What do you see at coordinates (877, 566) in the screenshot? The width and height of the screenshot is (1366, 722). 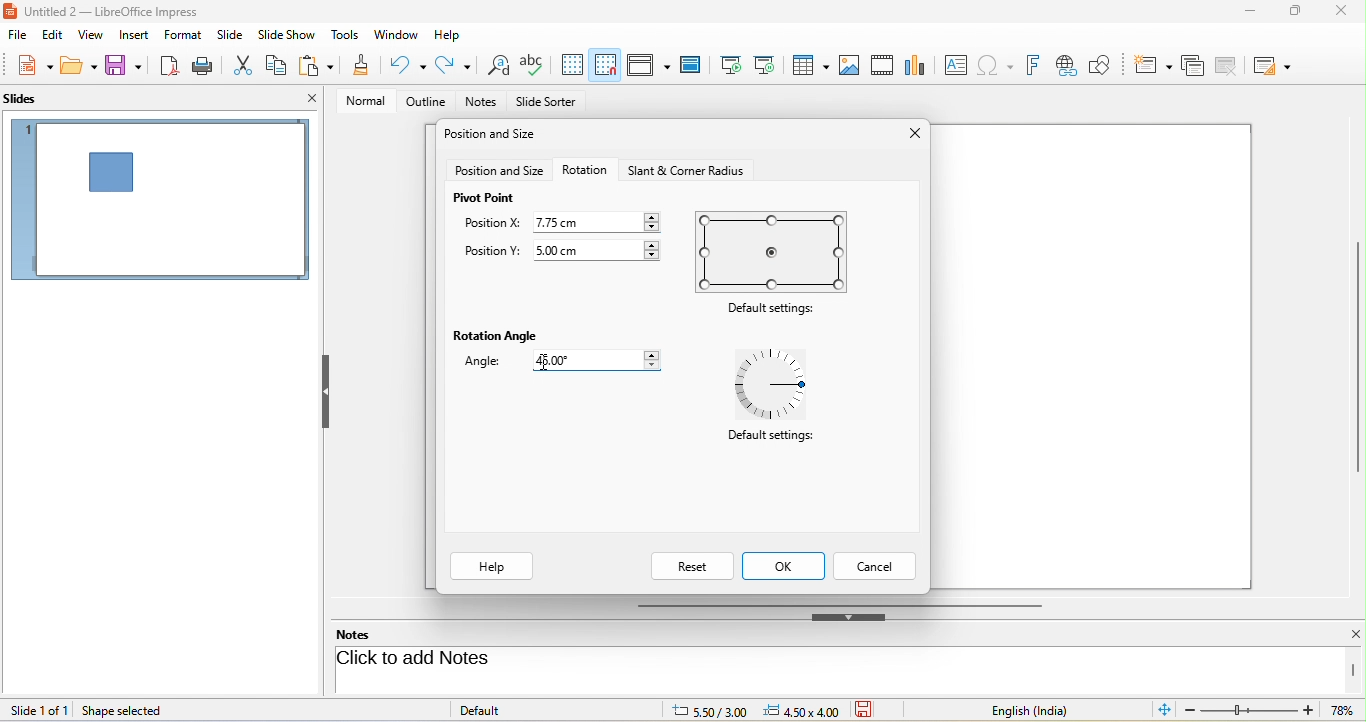 I see `cancel` at bounding box center [877, 566].